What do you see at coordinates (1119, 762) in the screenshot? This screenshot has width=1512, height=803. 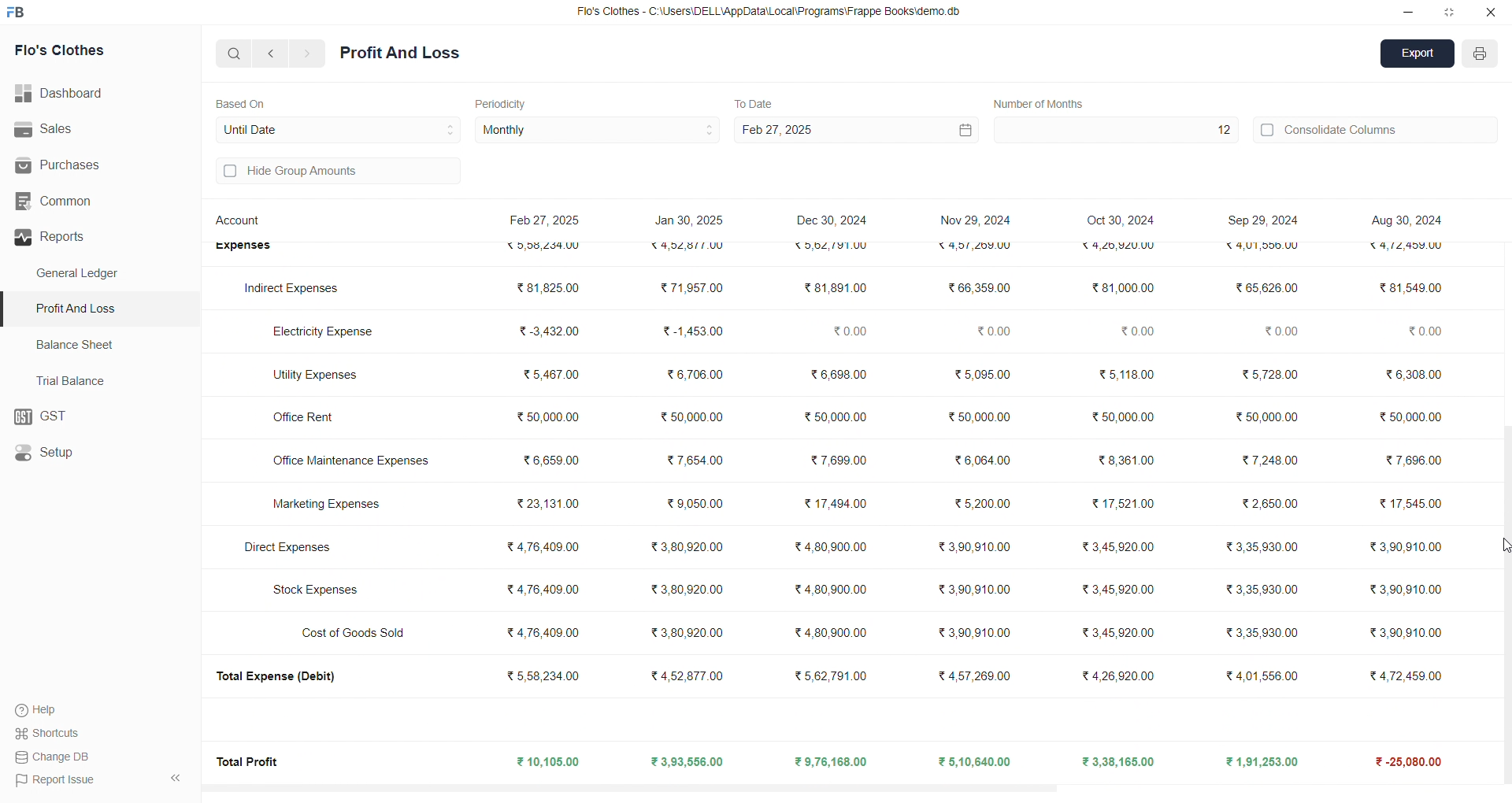 I see `₹3,38,165.00` at bounding box center [1119, 762].